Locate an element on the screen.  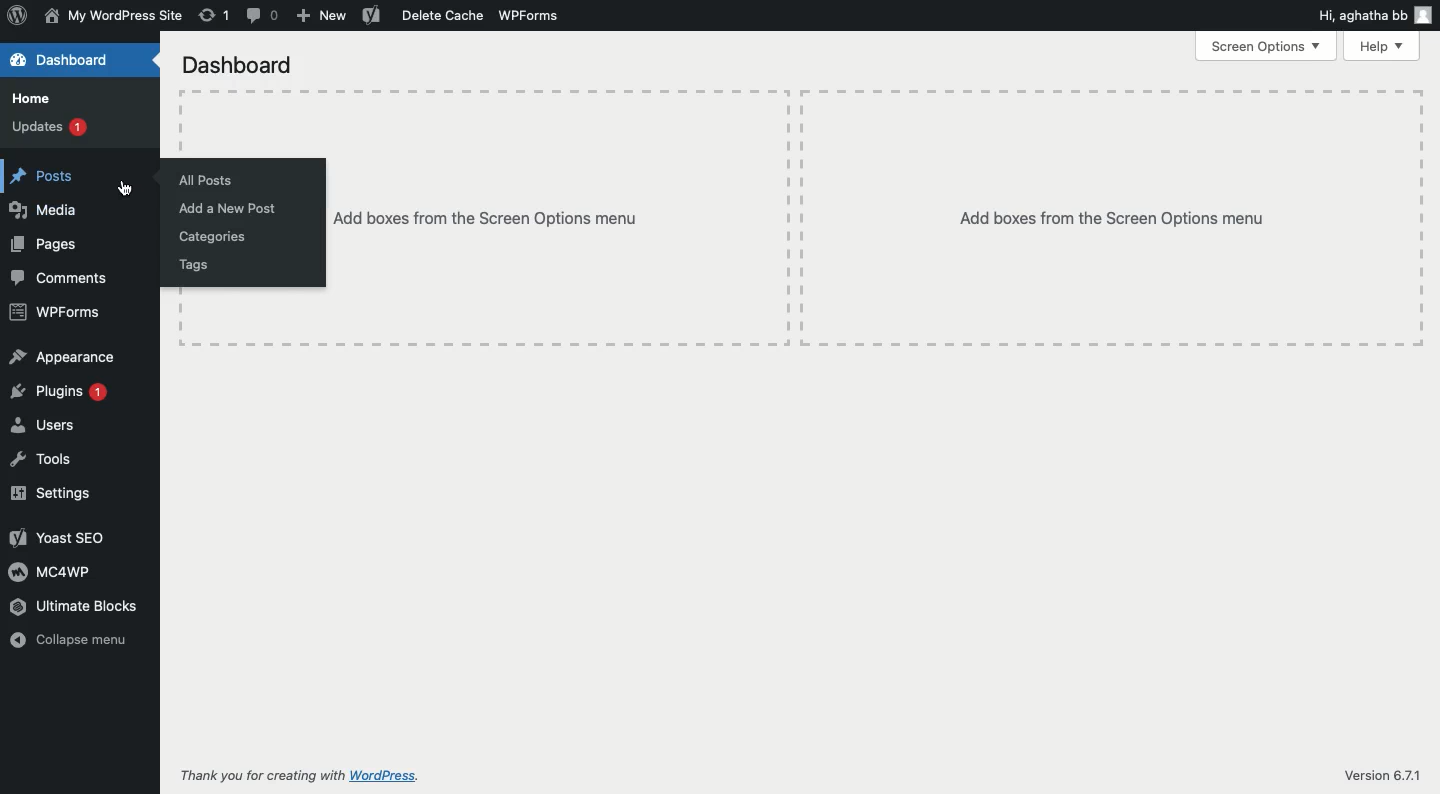
Ultimate Blocks is located at coordinates (87, 605).